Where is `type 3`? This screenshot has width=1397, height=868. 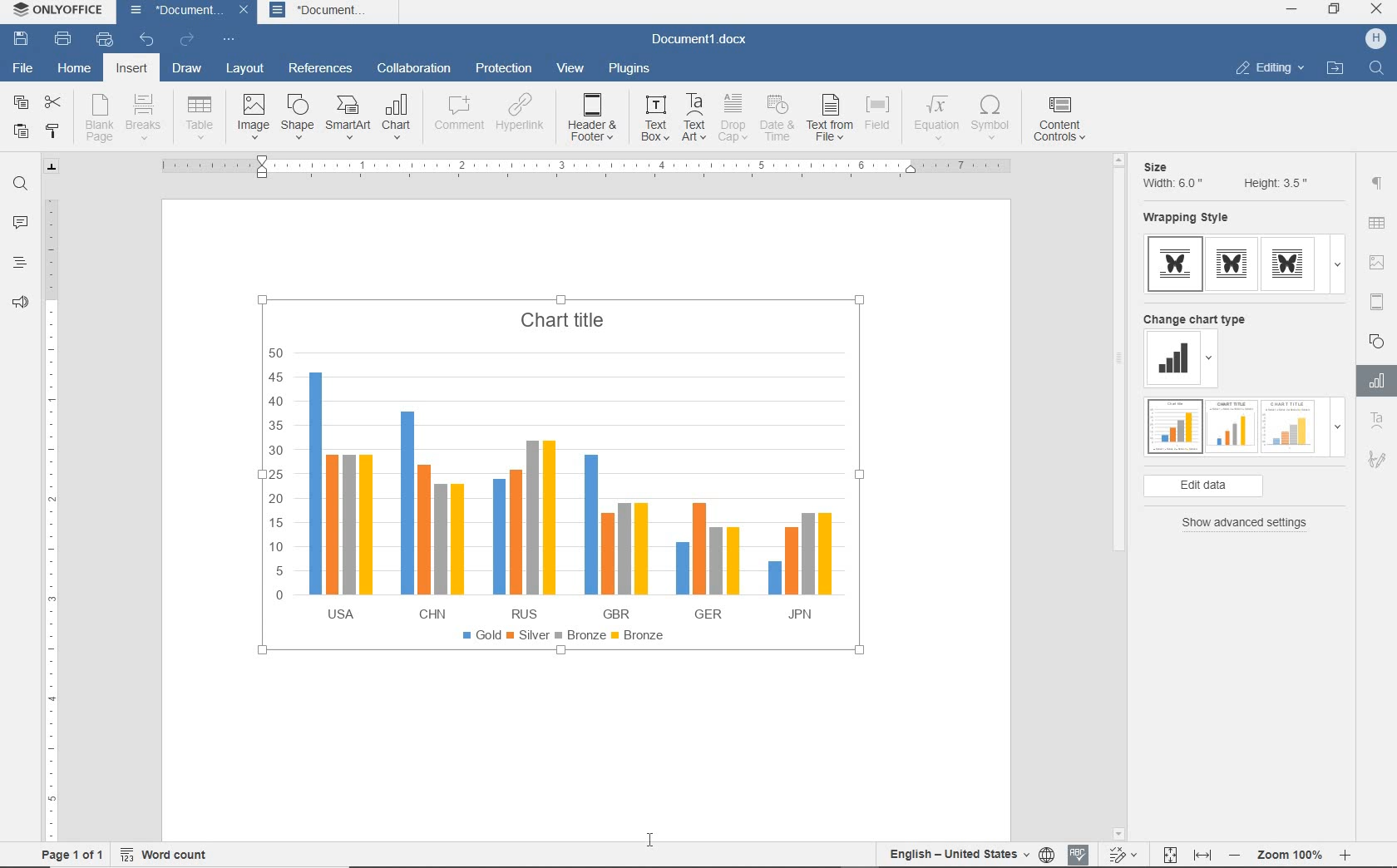
type 3 is located at coordinates (1289, 425).